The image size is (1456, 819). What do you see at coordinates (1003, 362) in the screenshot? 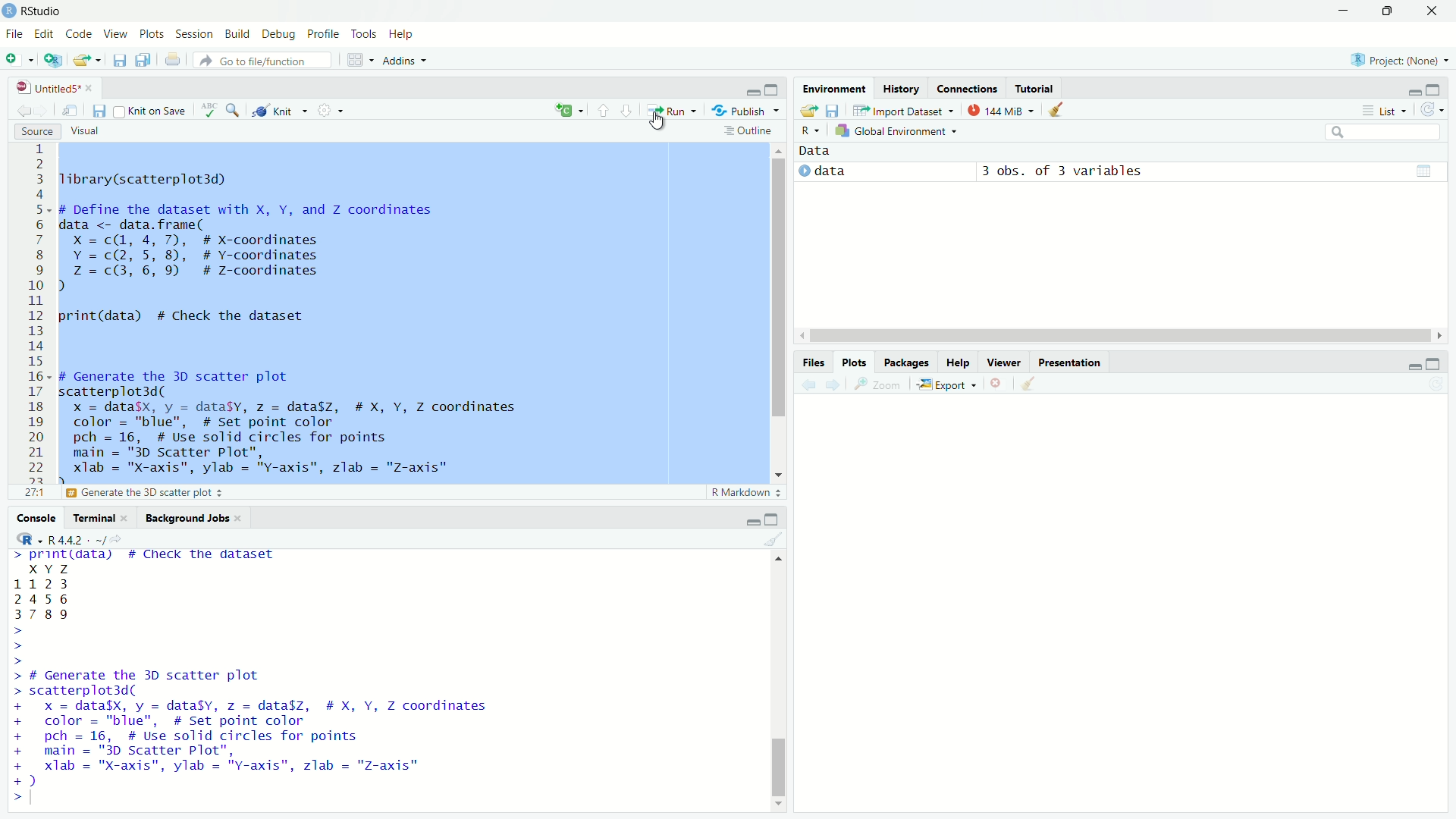
I see `viewer` at bounding box center [1003, 362].